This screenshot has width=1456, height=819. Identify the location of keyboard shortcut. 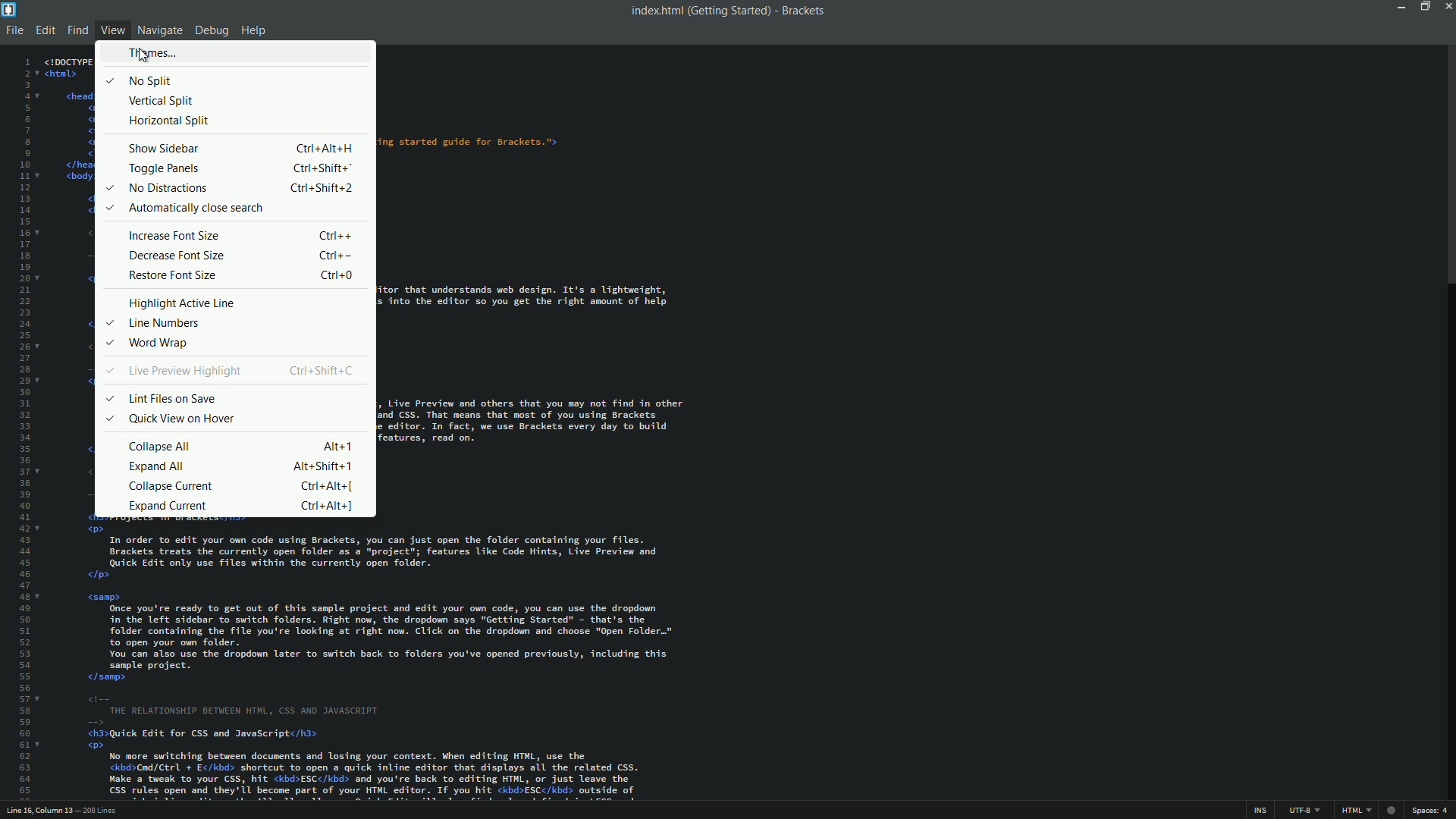
(336, 236).